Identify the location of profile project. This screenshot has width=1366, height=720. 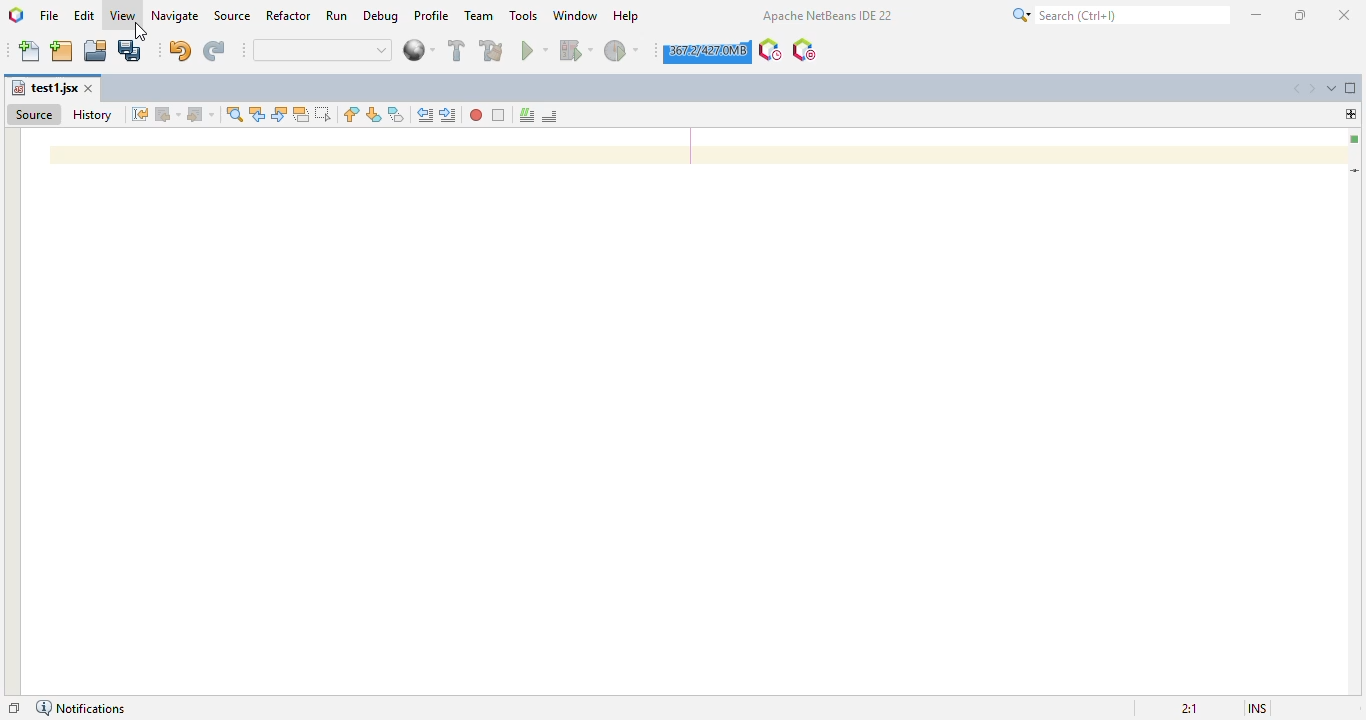
(623, 51).